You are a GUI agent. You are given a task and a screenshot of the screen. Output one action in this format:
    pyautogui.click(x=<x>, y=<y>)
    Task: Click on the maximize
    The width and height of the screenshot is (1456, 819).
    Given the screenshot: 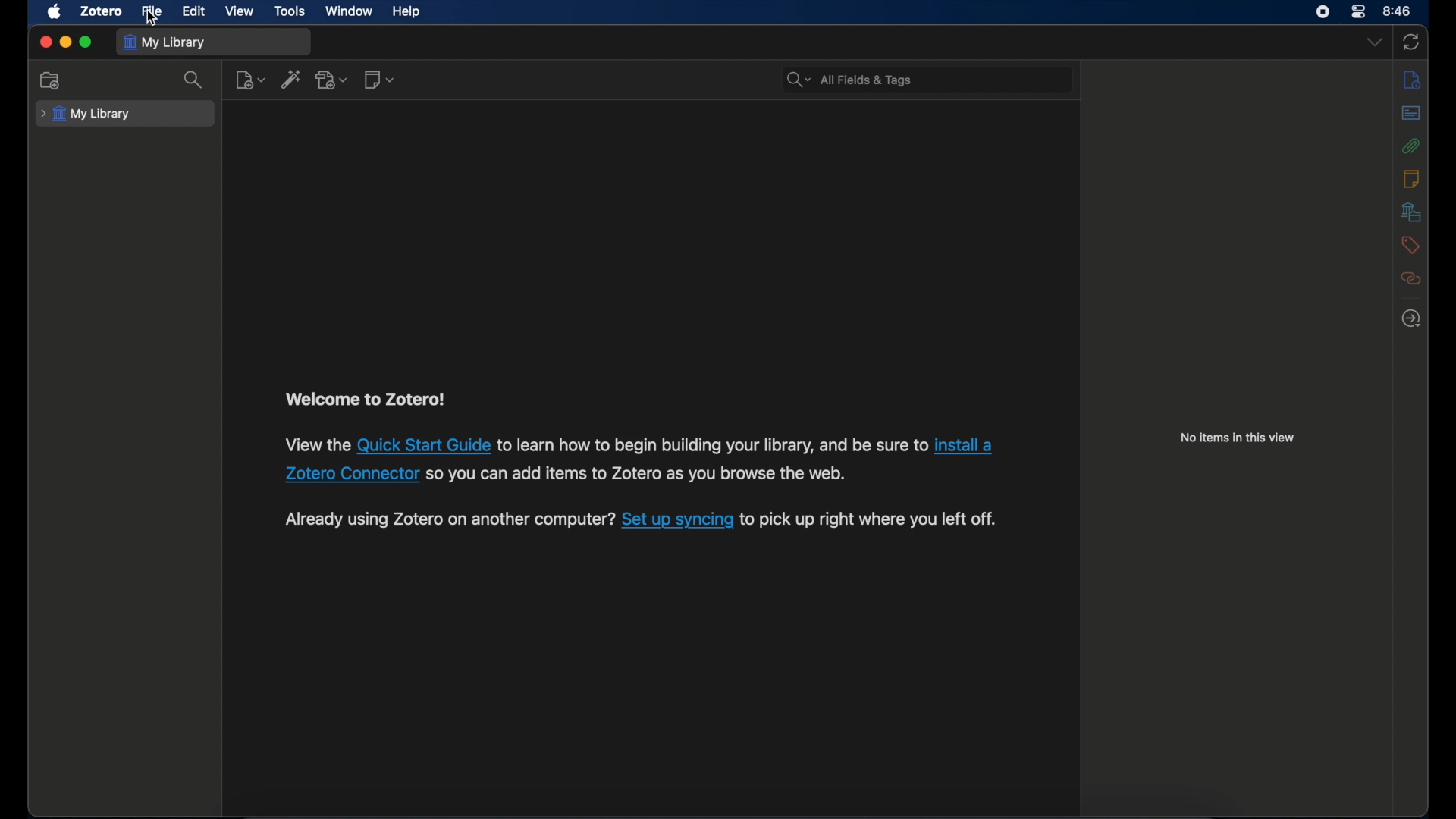 What is the action you would take?
    pyautogui.click(x=86, y=42)
    